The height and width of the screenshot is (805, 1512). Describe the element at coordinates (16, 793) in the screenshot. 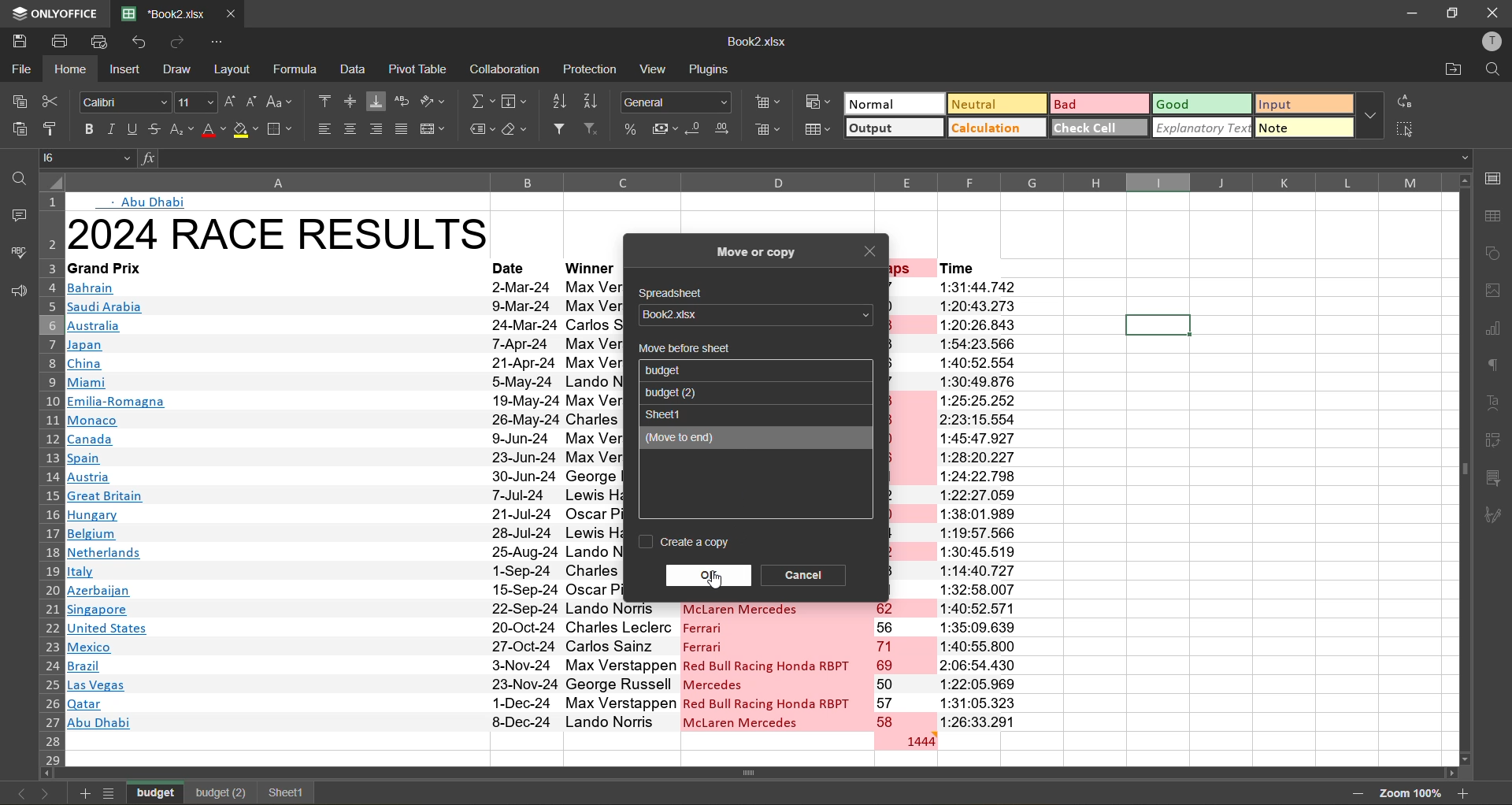

I see `previous` at that location.